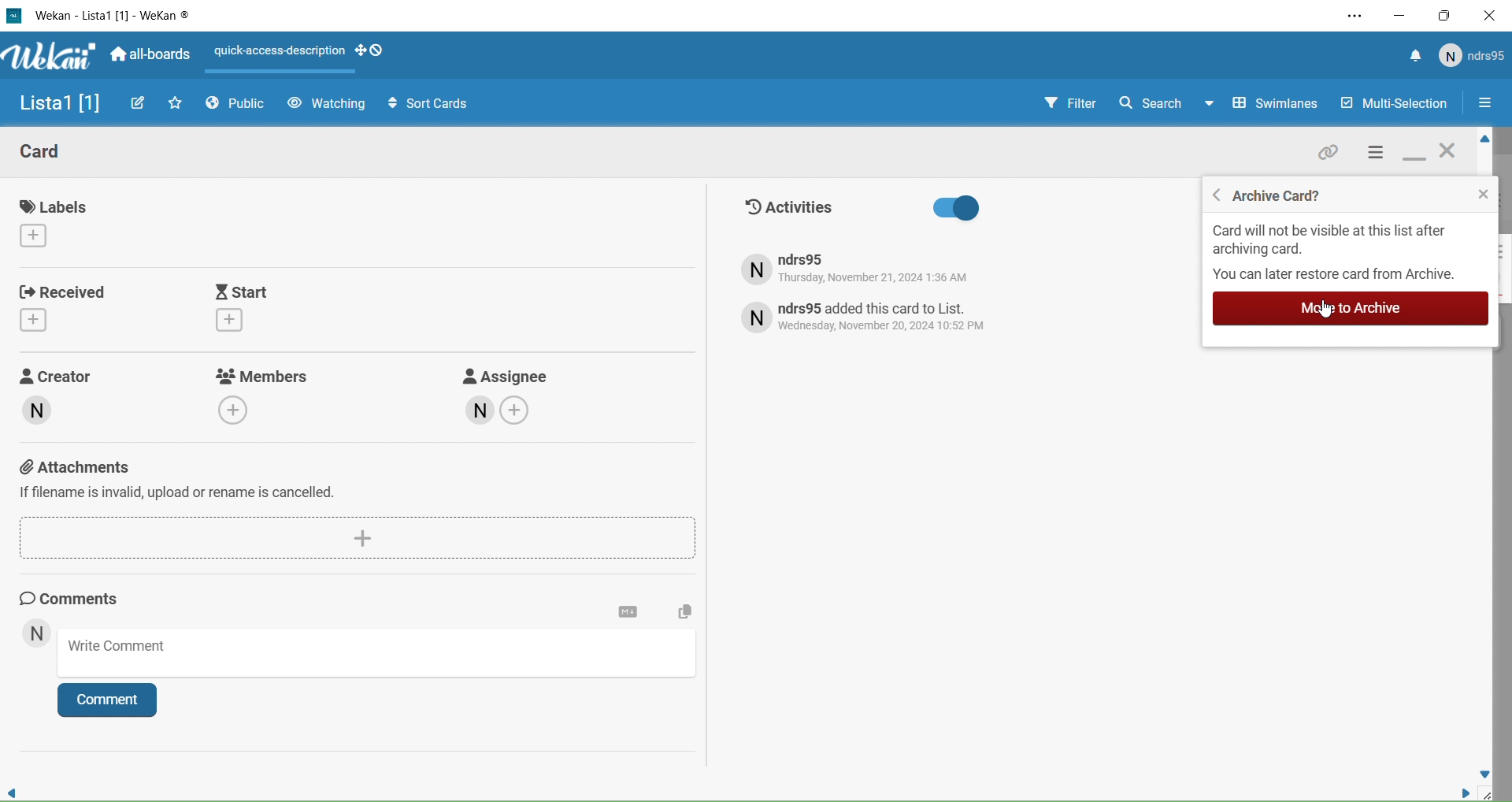 The width and height of the screenshot is (1512, 802). Describe the element at coordinates (1405, 16) in the screenshot. I see `Minimize` at that location.